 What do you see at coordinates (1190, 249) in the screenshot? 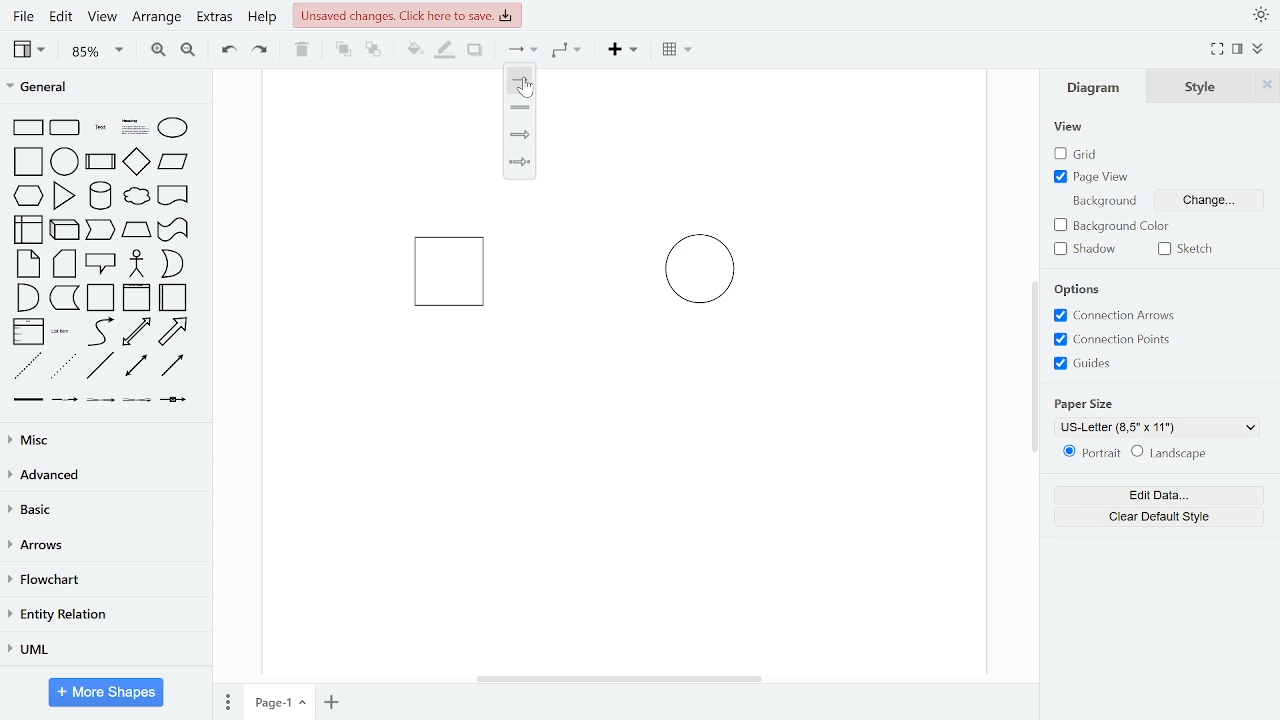
I see `sketch` at bounding box center [1190, 249].